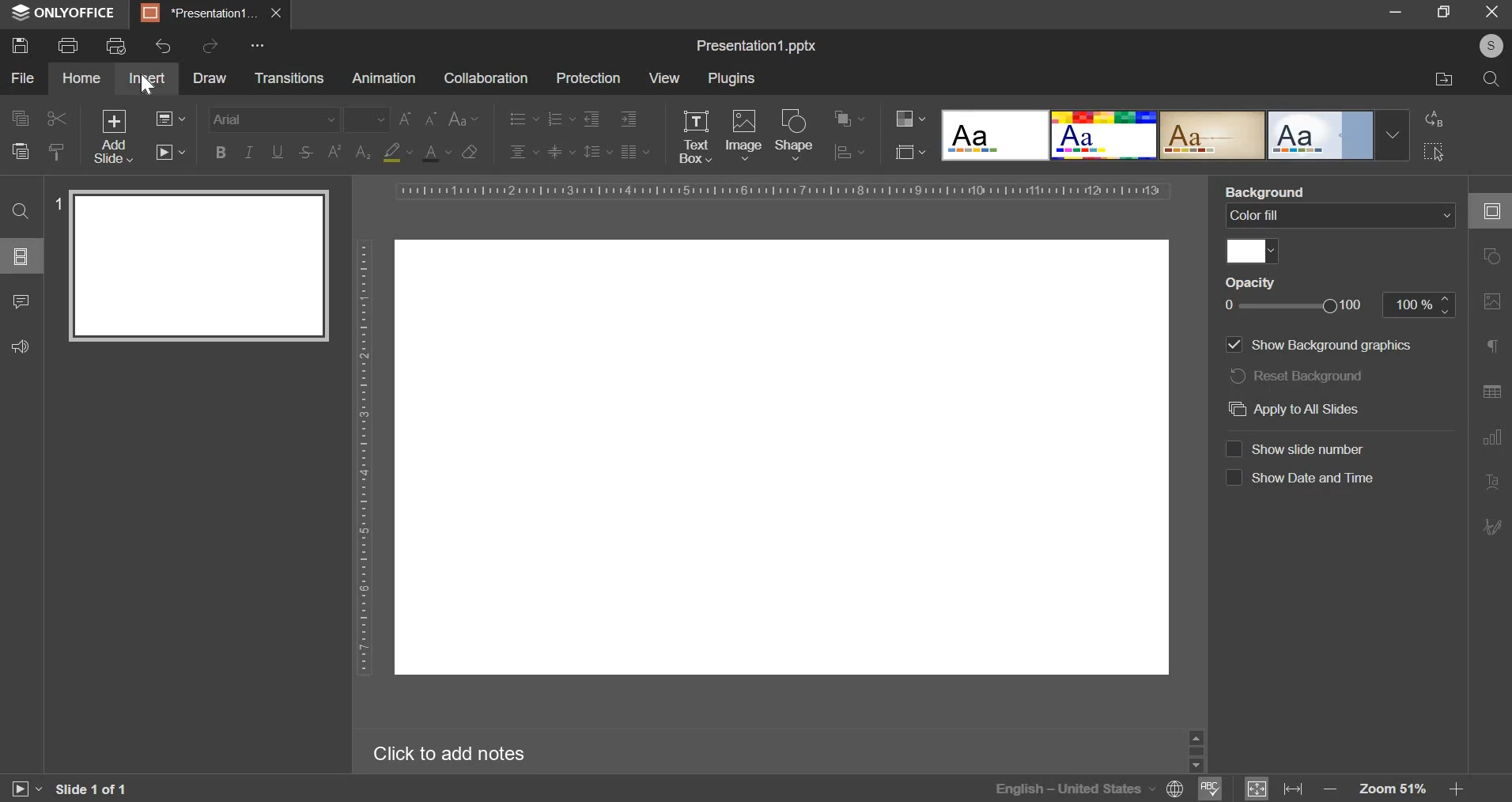 The image size is (1512, 802). What do you see at coordinates (849, 153) in the screenshot?
I see `align shape` at bounding box center [849, 153].